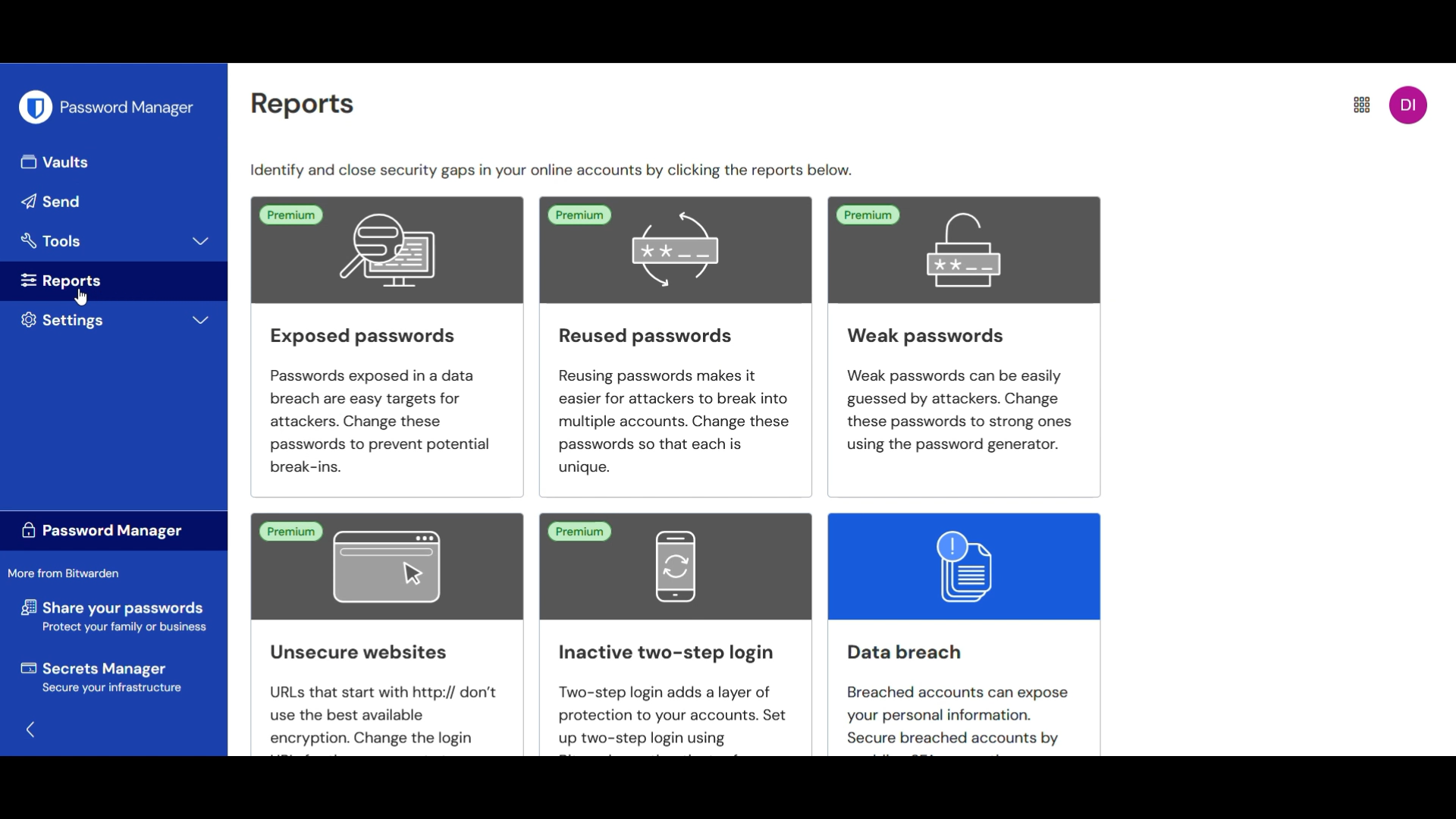 This screenshot has height=819, width=1456. Describe the element at coordinates (130, 107) in the screenshot. I see `Password manager heading` at that location.